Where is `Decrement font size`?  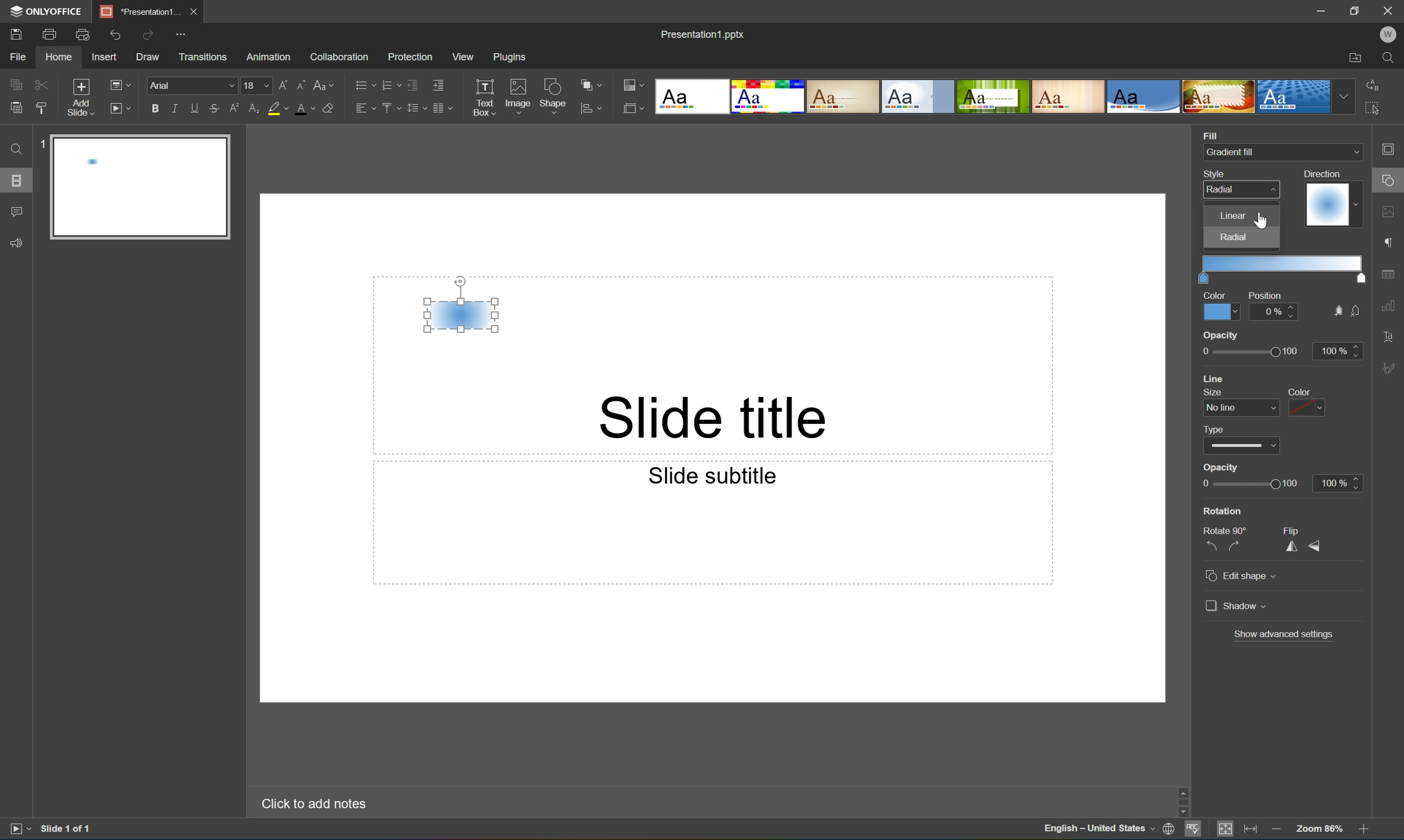 Decrement font size is located at coordinates (300, 83).